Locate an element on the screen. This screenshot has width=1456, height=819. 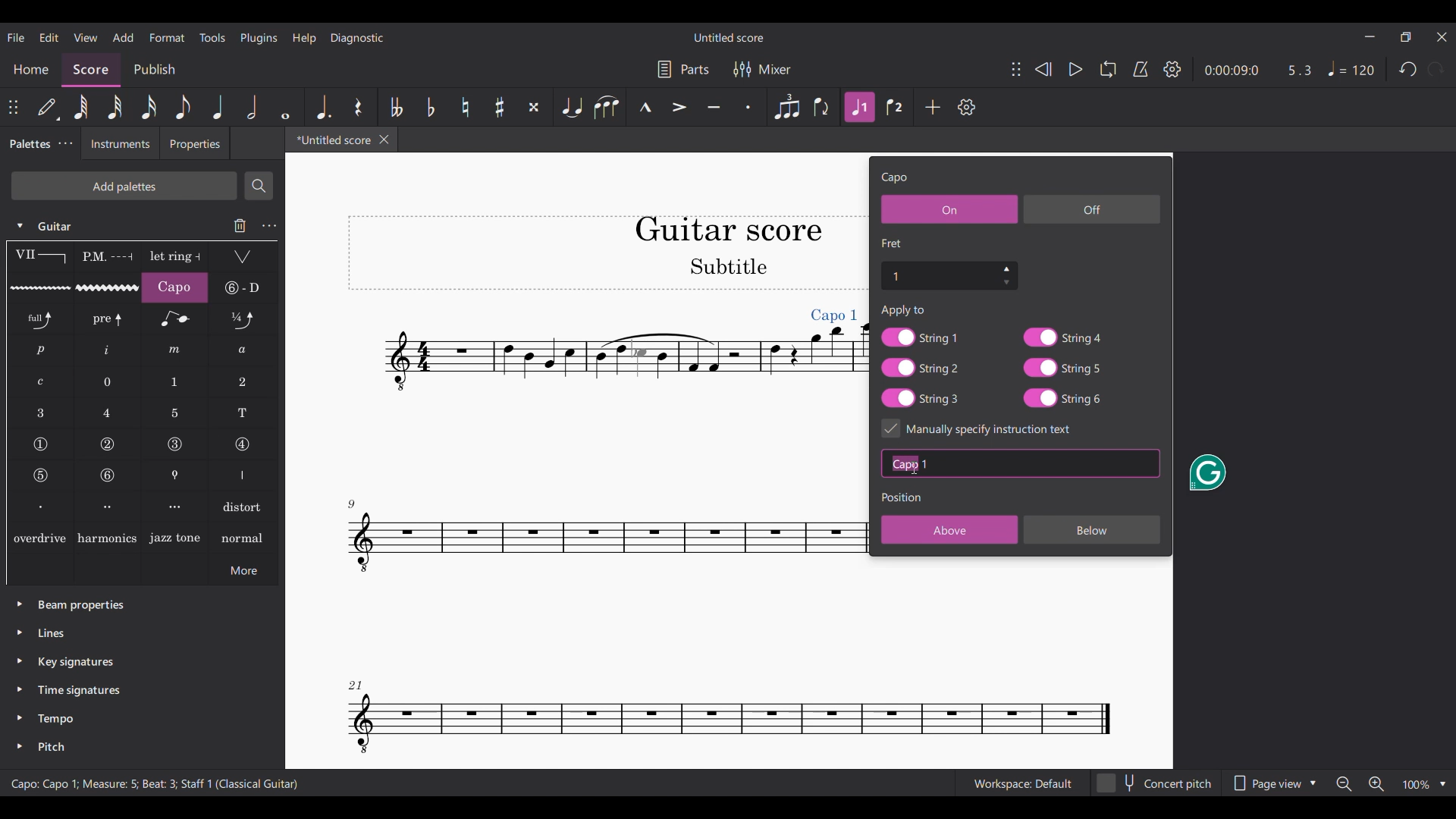
RH guitar fingering m is located at coordinates (174, 350).